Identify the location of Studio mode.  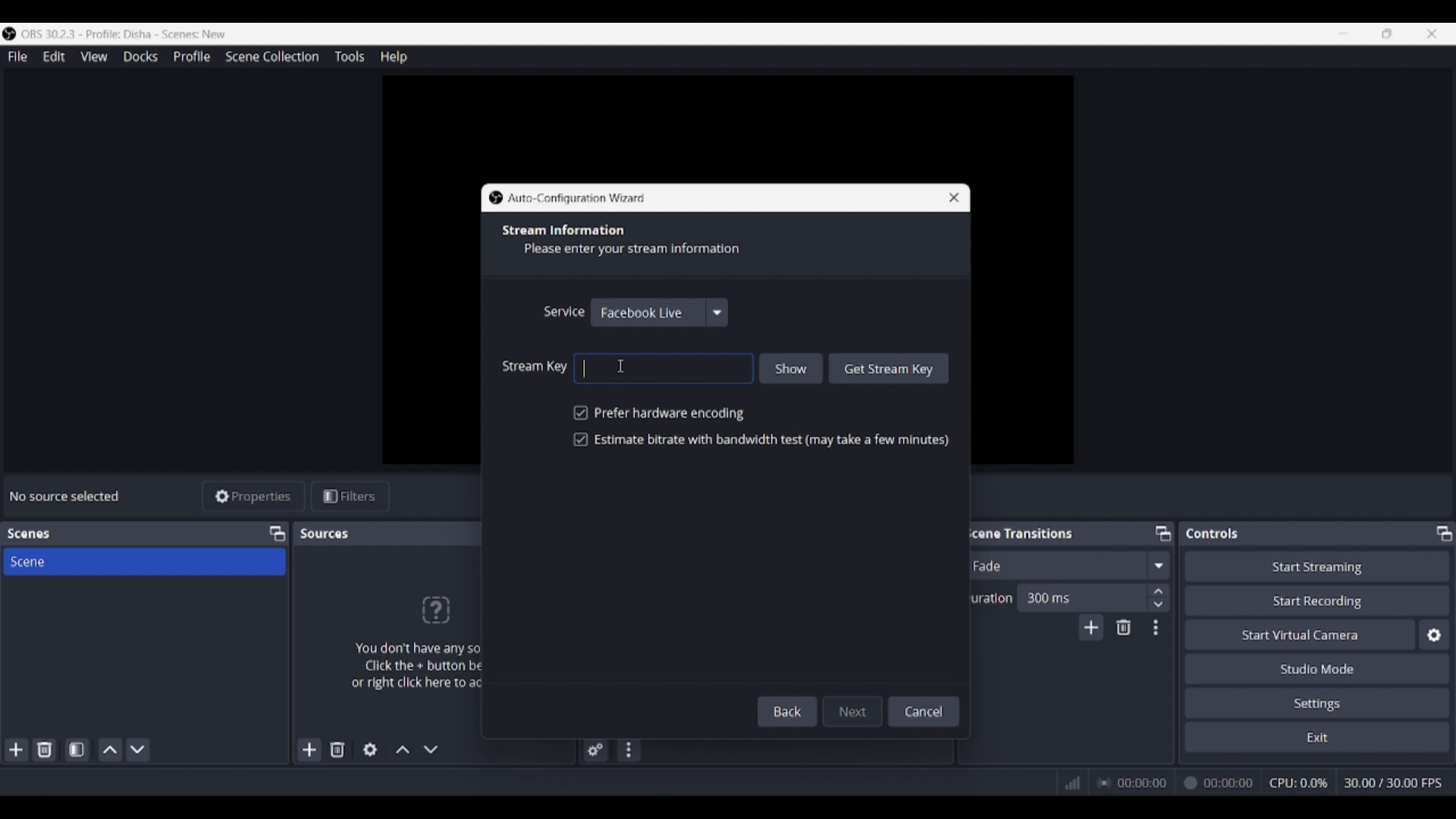
(1317, 668).